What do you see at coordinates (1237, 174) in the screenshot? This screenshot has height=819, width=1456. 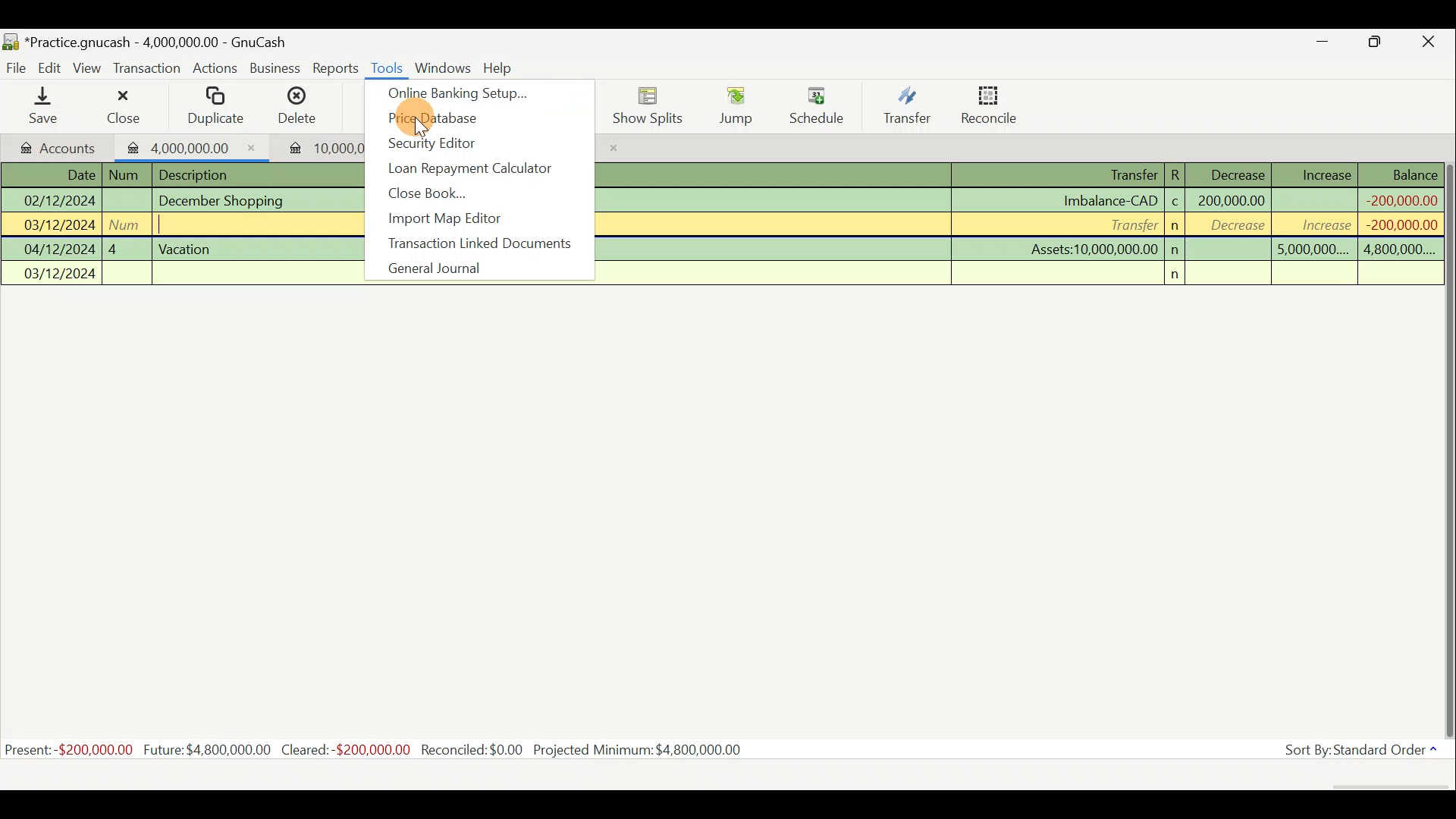 I see `Decrease` at bounding box center [1237, 174].